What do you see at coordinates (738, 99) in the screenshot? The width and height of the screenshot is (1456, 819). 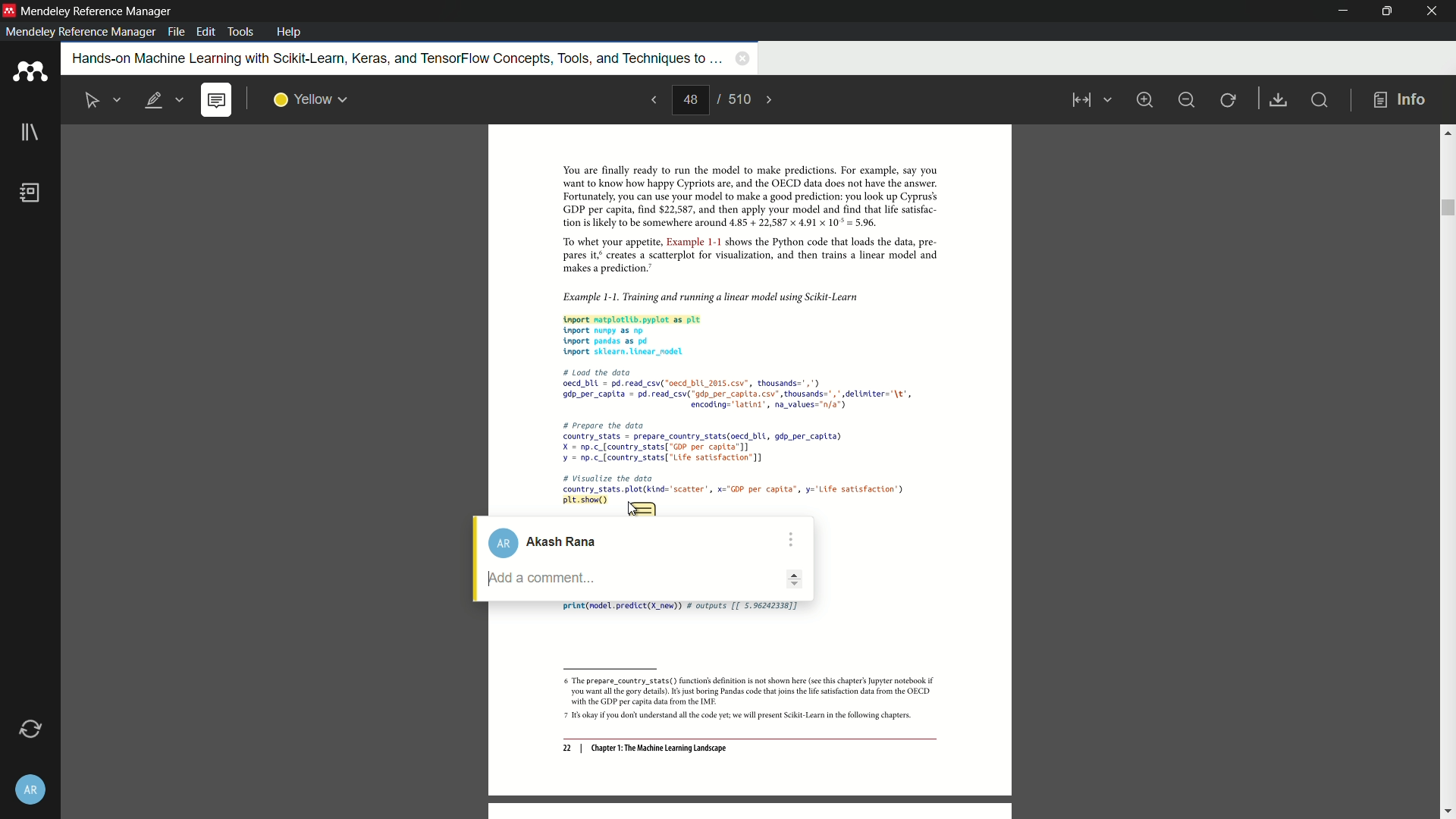 I see `total page` at bounding box center [738, 99].